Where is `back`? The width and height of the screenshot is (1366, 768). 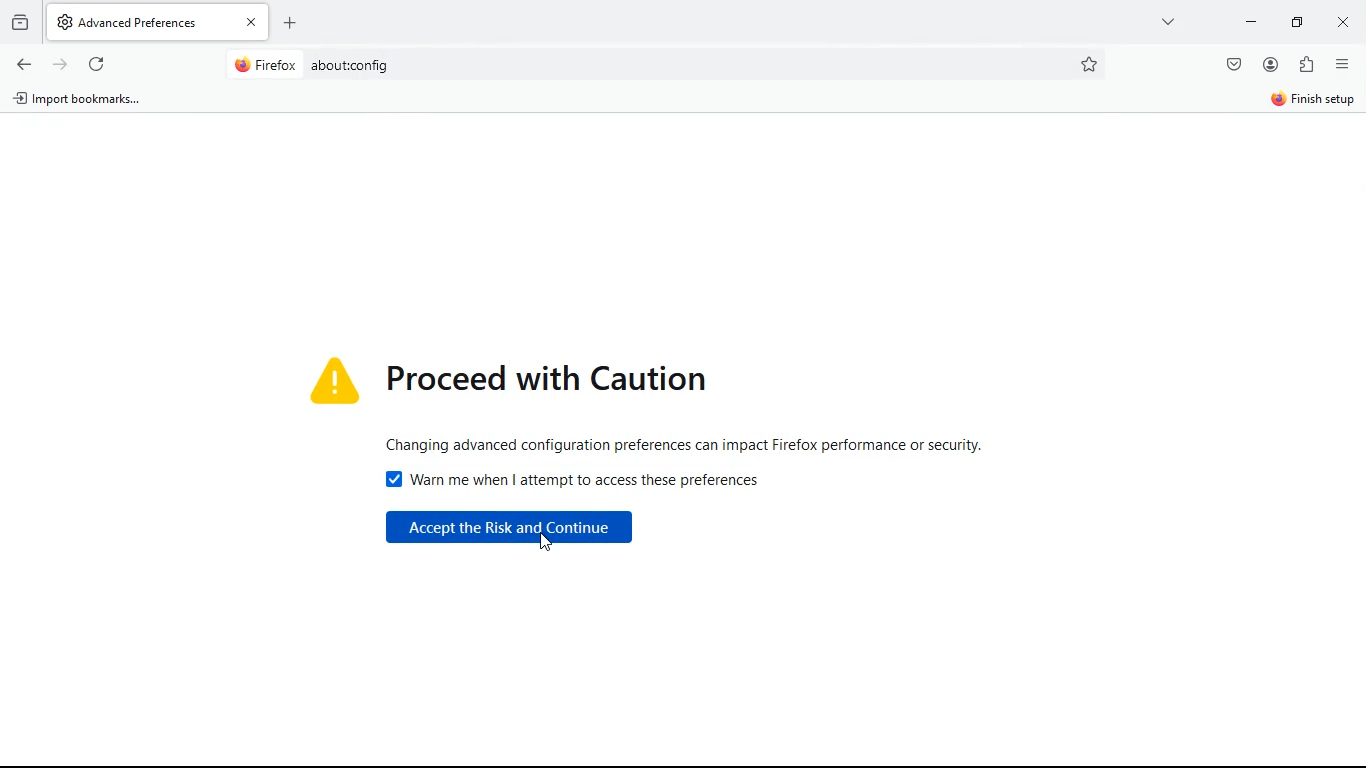 back is located at coordinates (23, 64).